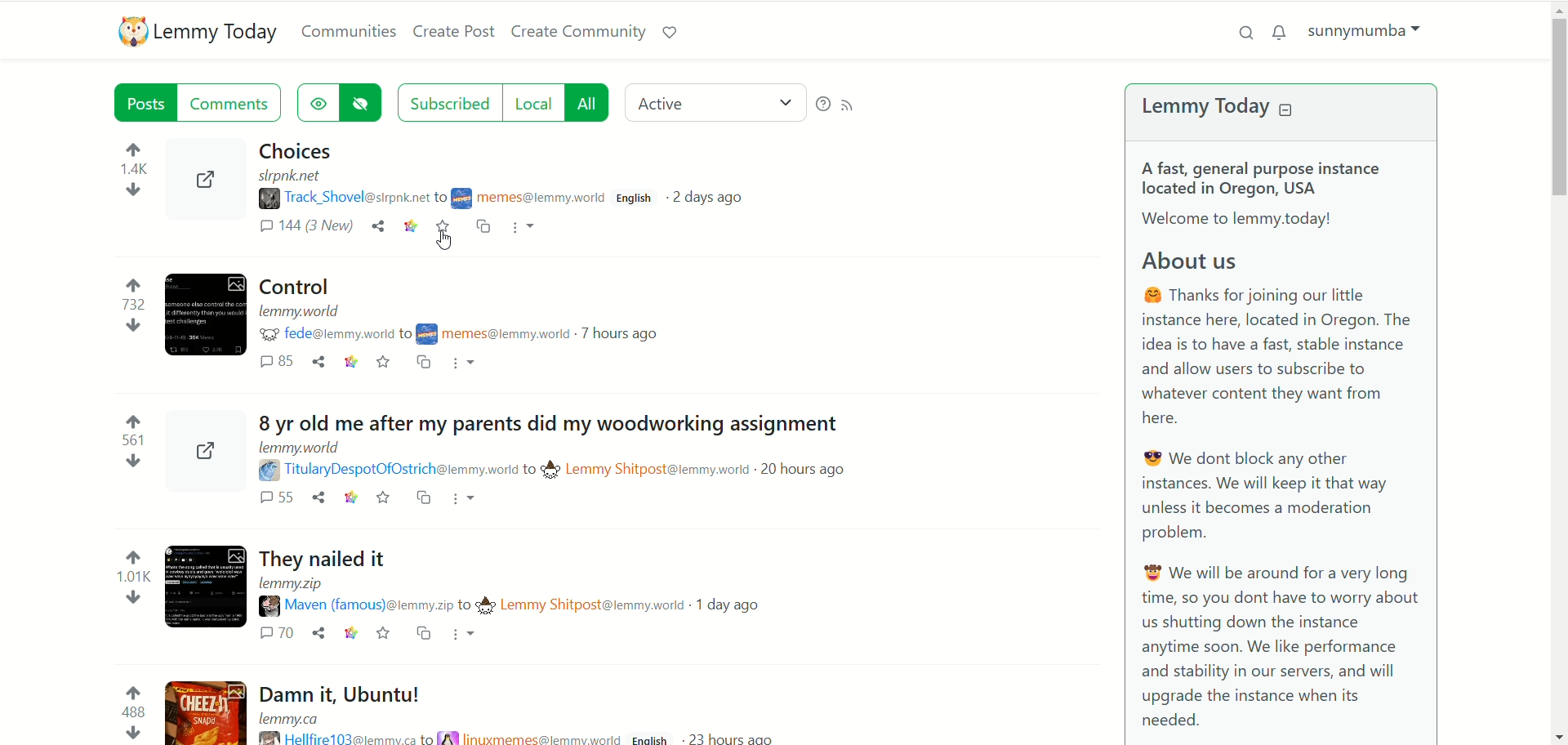 The image size is (1568, 745). What do you see at coordinates (1368, 29) in the screenshot?
I see `(sunnymumba)account` at bounding box center [1368, 29].